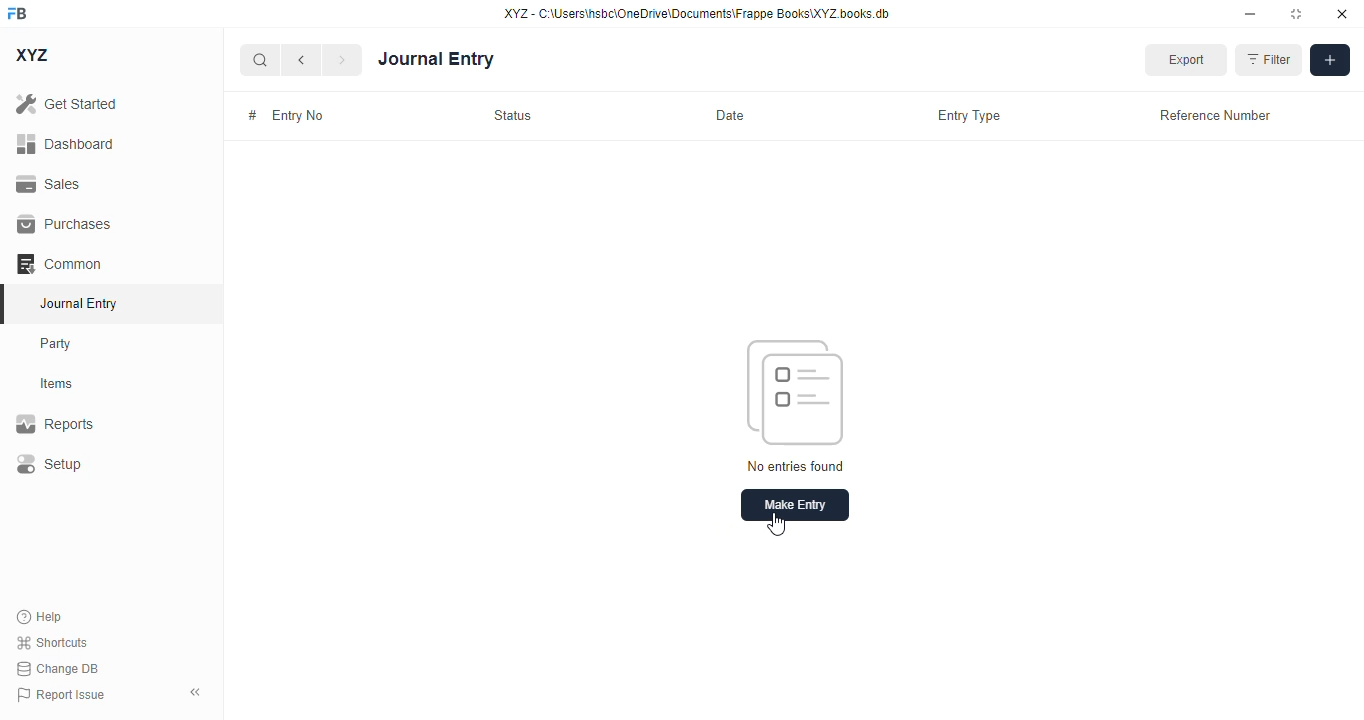 This screenshot has width=1364, height=720. What do you see at coordinates (59, 263) in the screenshot?
I see `common` at bounding box center [59, 263].